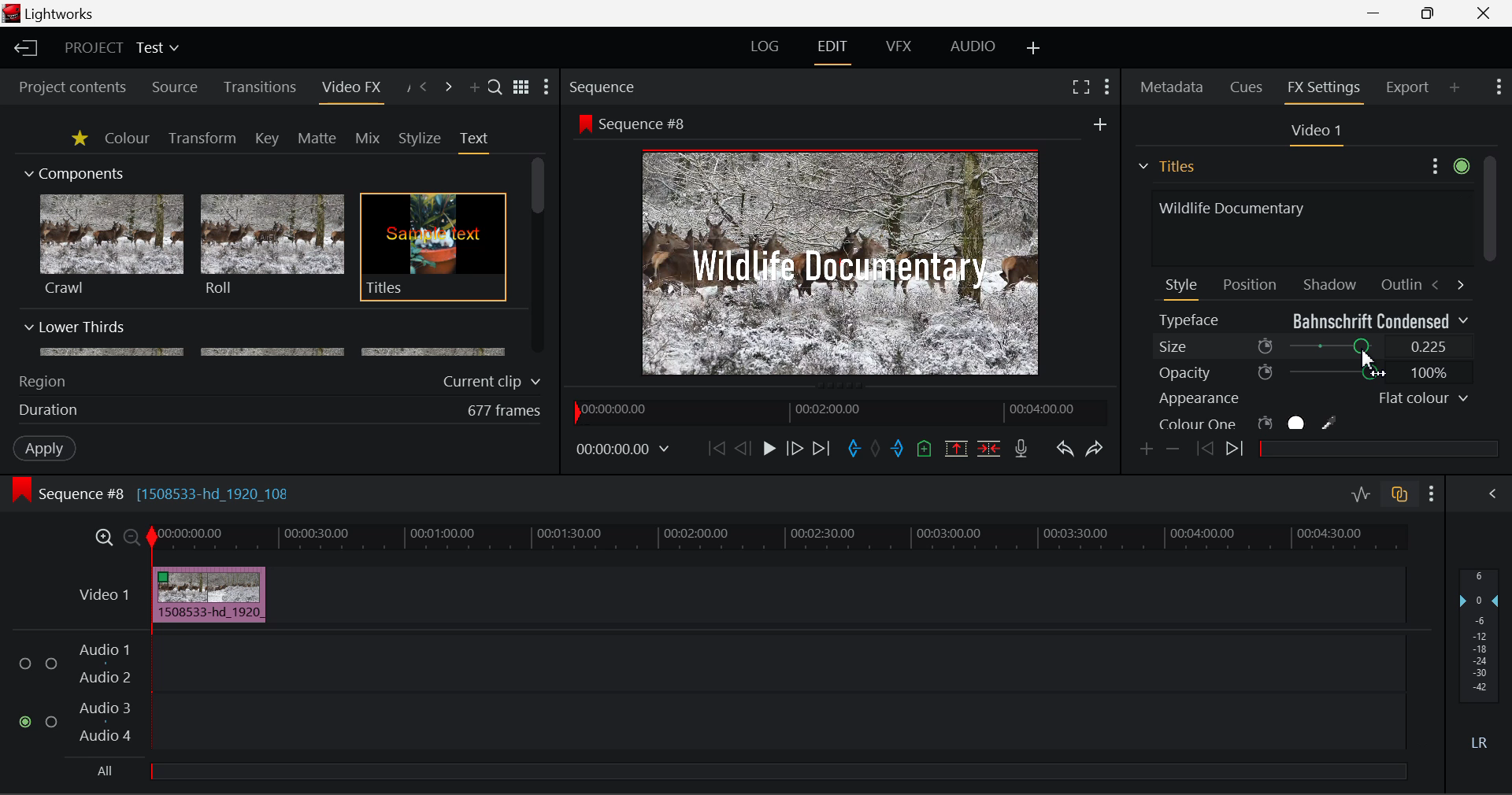 The height and width of the screenshot is (795, 1512). Describe the element at coordinates (106, 771) in the screenshot. I see `All` at that location.